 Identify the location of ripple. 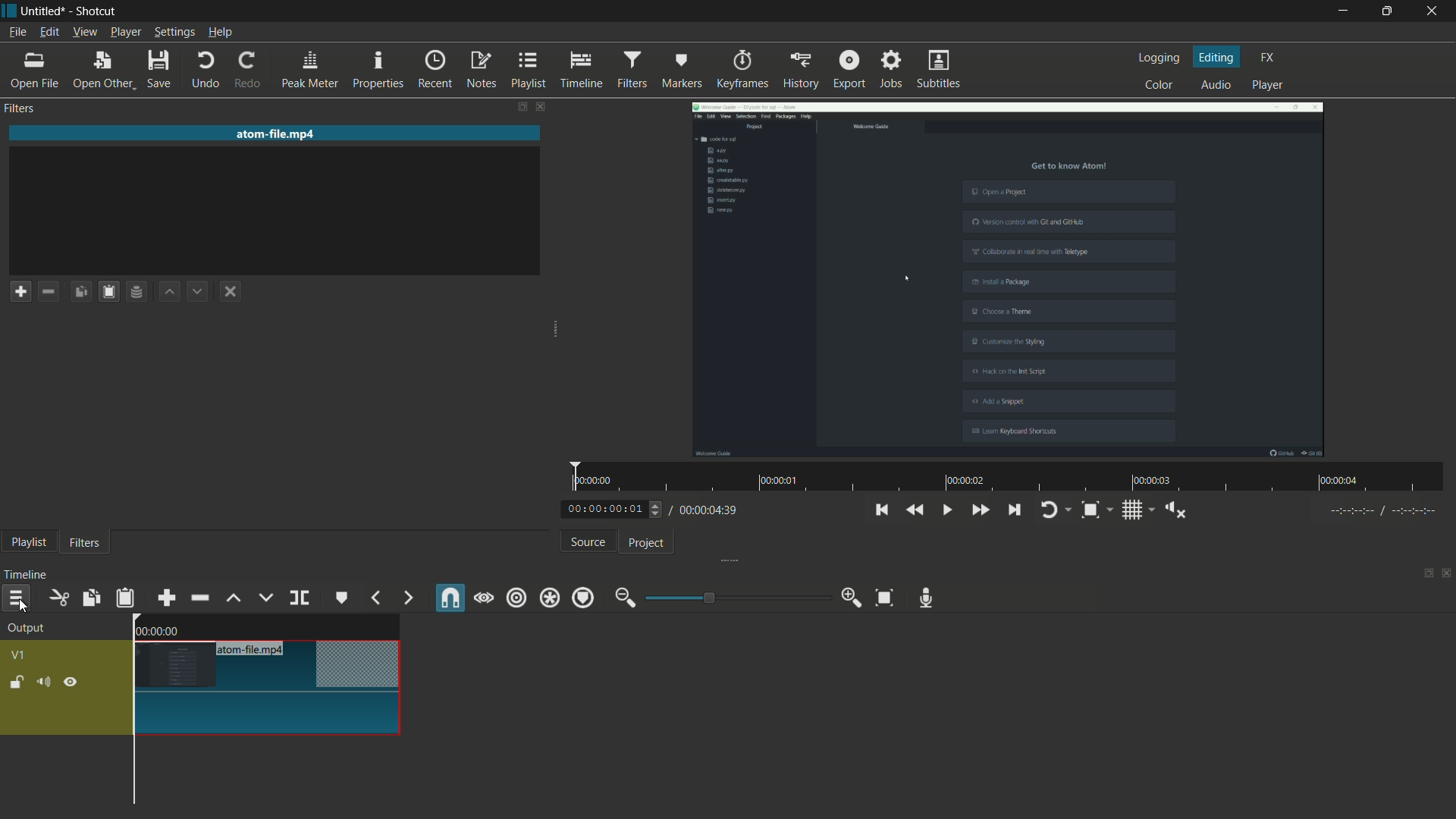
(516, 600).